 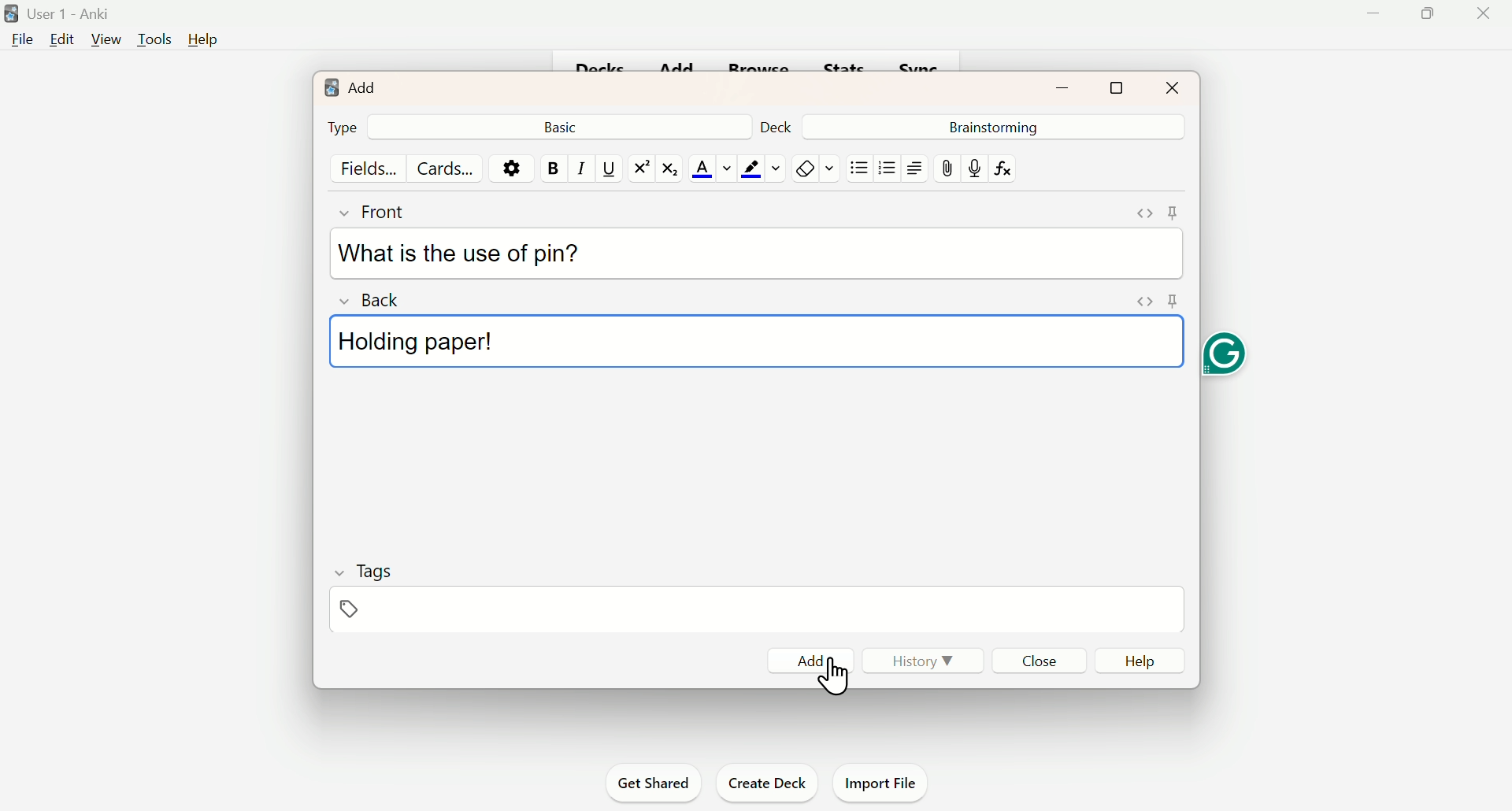 What do you see at coordinates (761, 168) in the screenshot?
I see `Color` at bounding box center [761, 168].